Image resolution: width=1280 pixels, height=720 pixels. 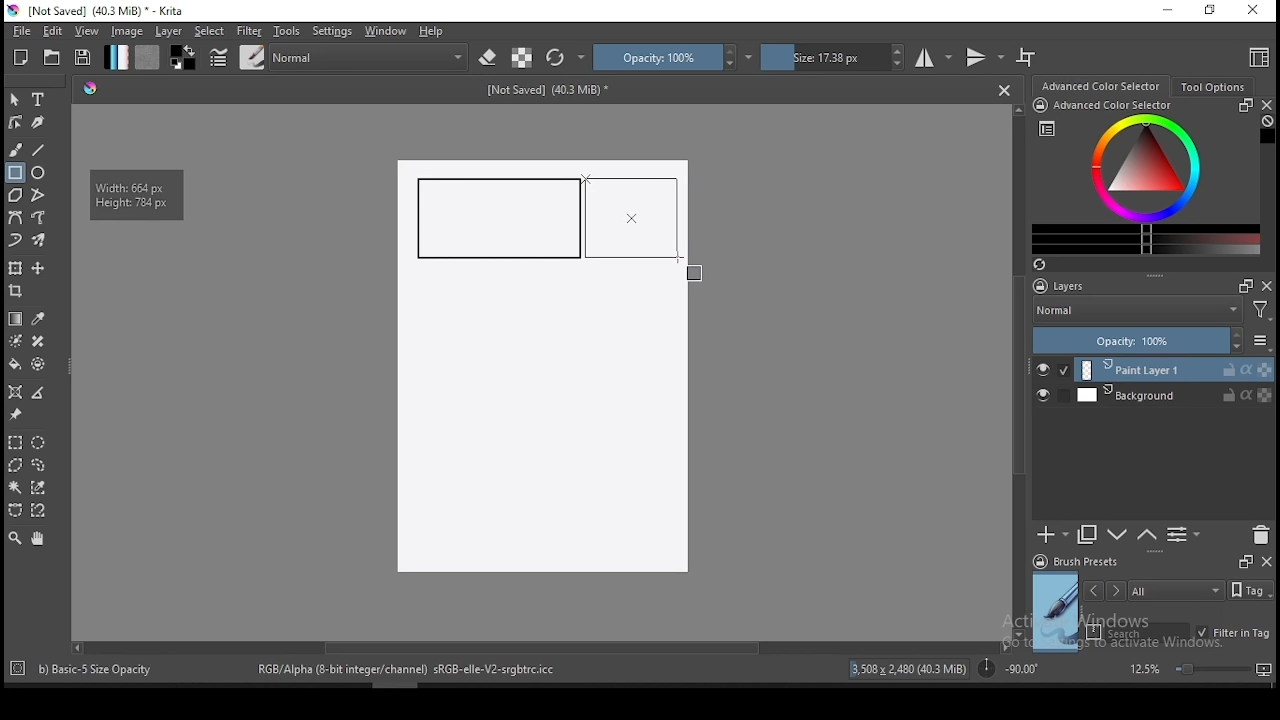 What do you see at coordinates (15, 364) in the screenshot?
I see `paint bucket tool` at bounding box center [15, 364].